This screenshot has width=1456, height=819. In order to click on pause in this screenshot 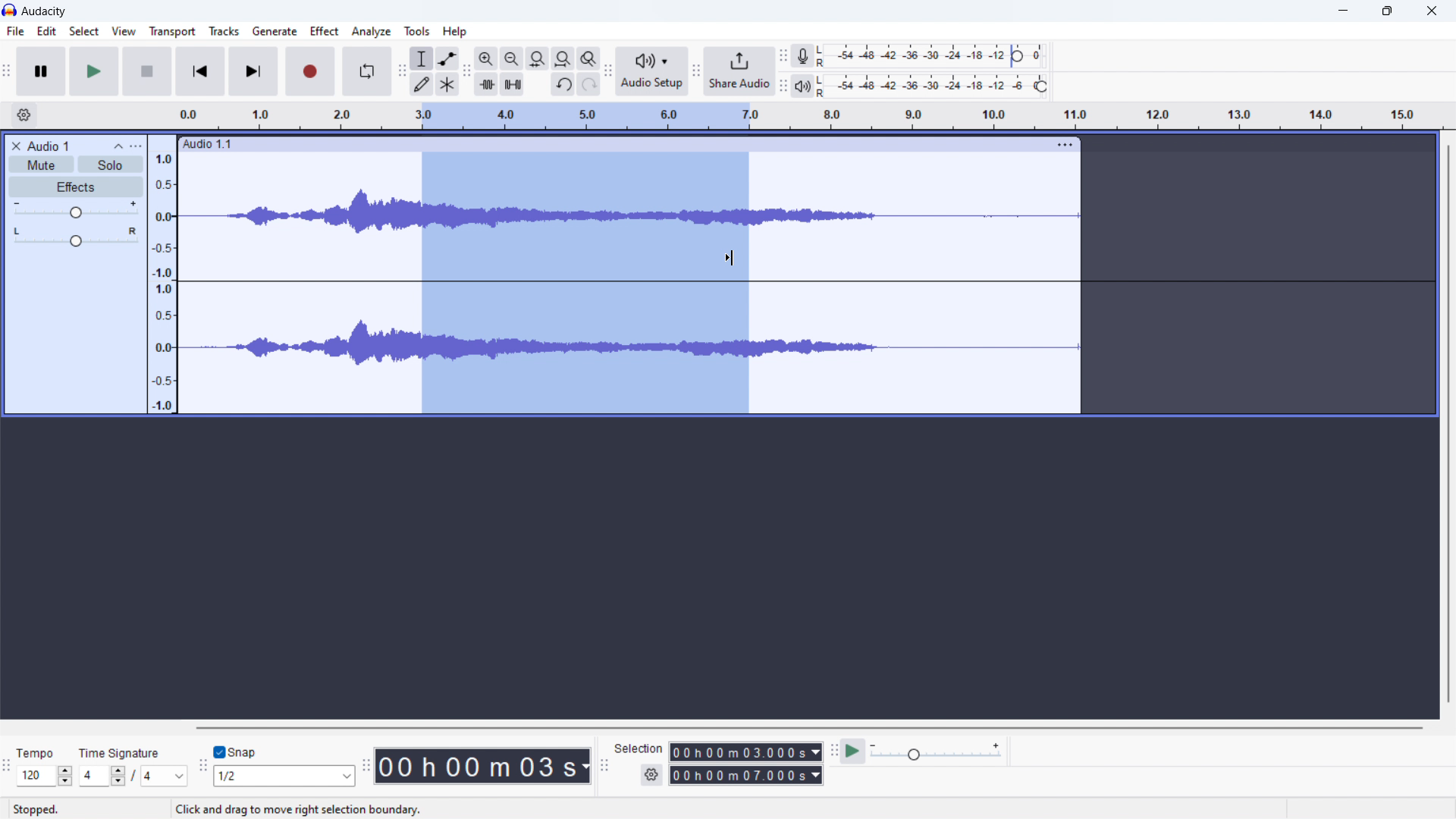, I will do `click(40, 71)`.